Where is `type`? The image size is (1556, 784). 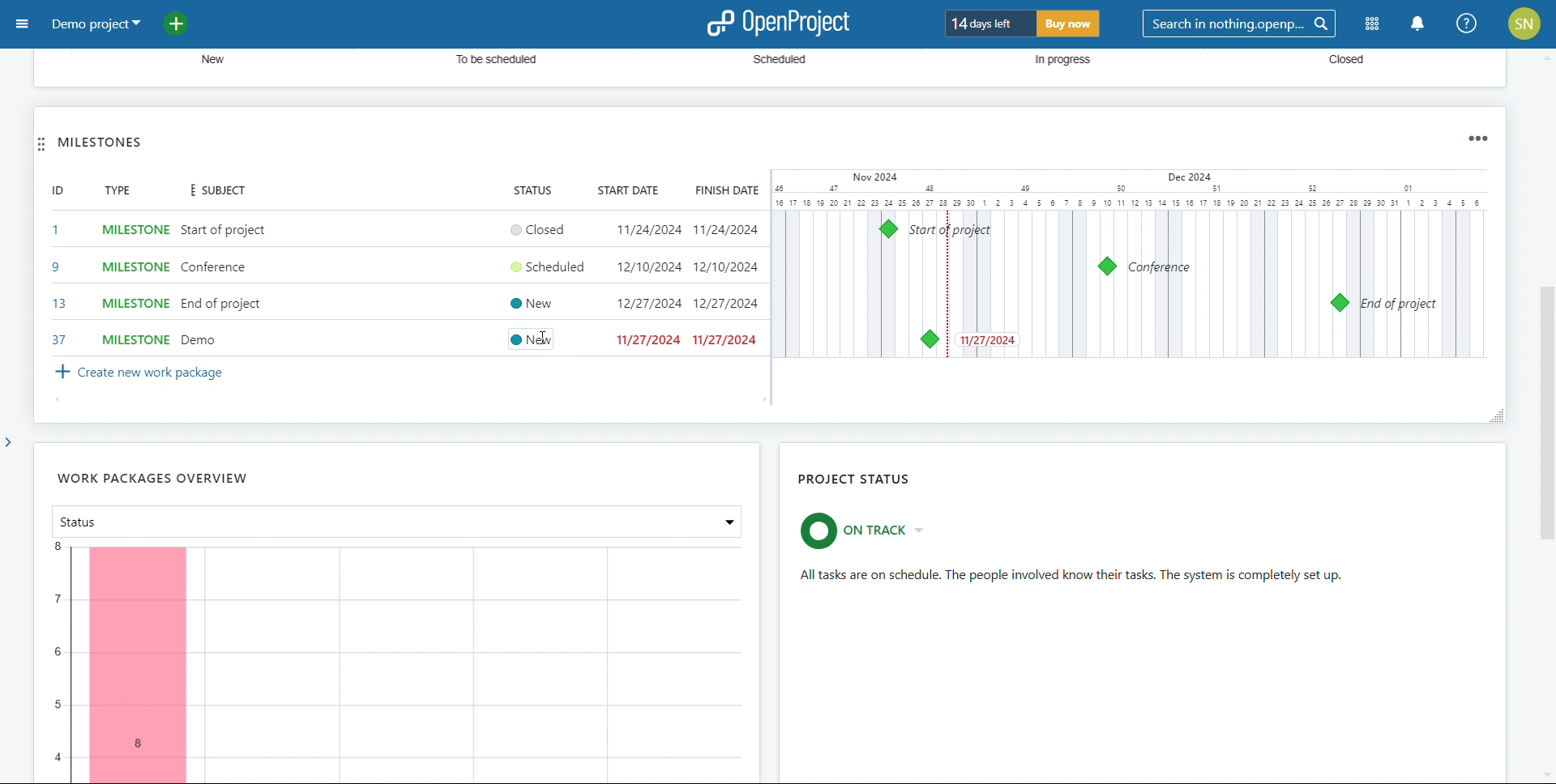
type is located at coordinates (118, 191).